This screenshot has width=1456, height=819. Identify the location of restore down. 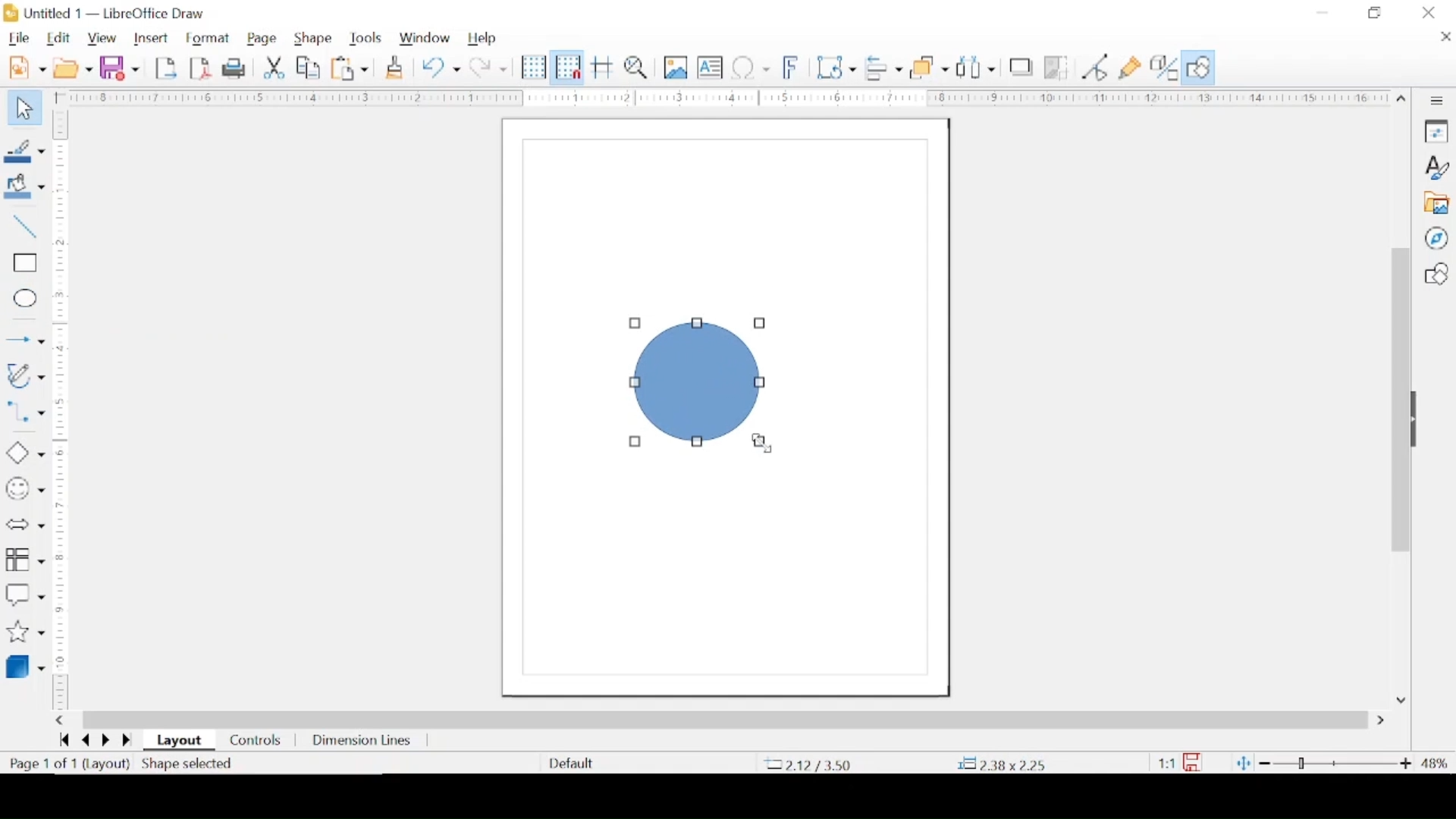
(1376, 13).